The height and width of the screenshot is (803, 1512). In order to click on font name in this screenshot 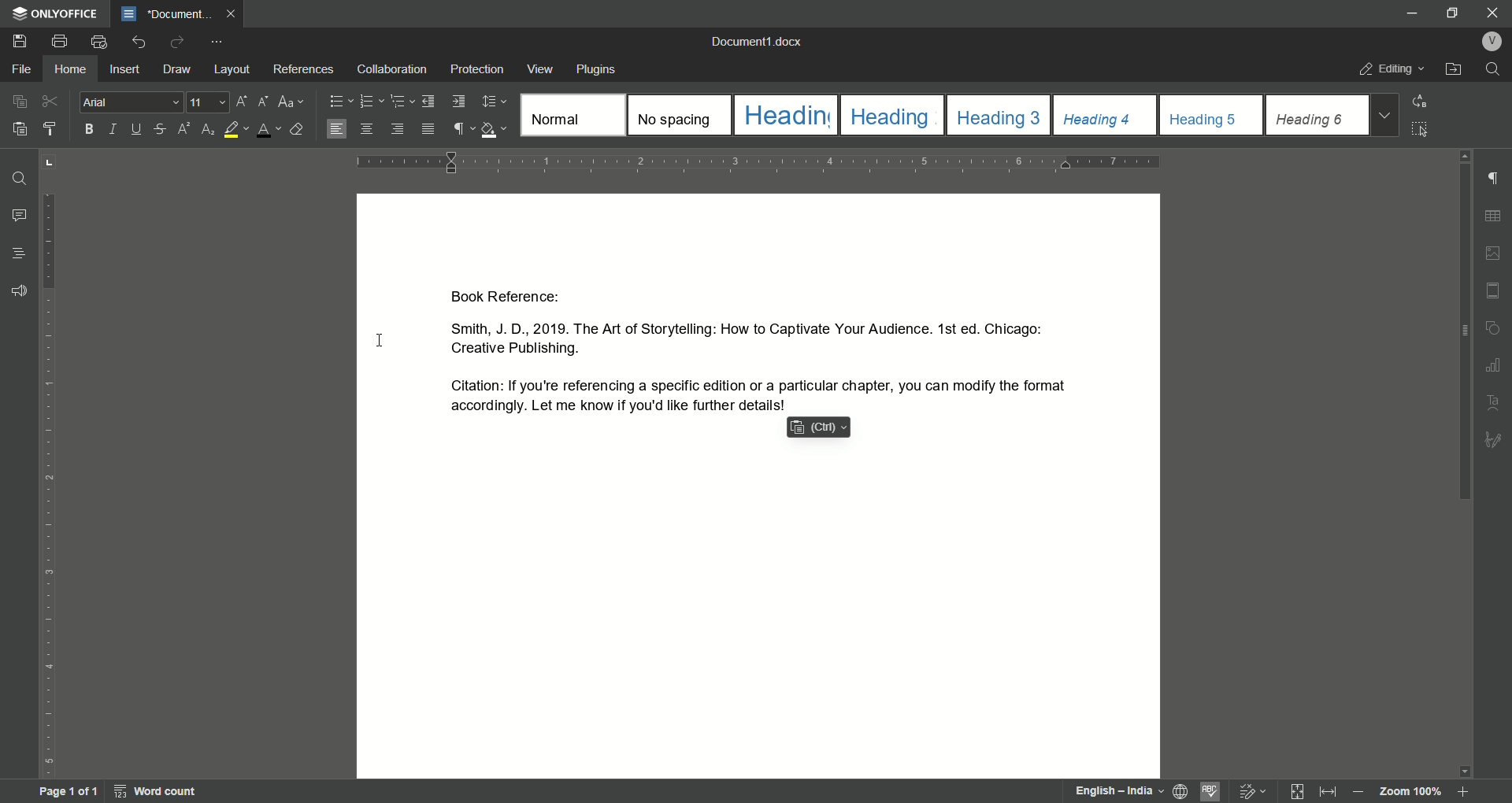, I will do `click(133, 102)`.